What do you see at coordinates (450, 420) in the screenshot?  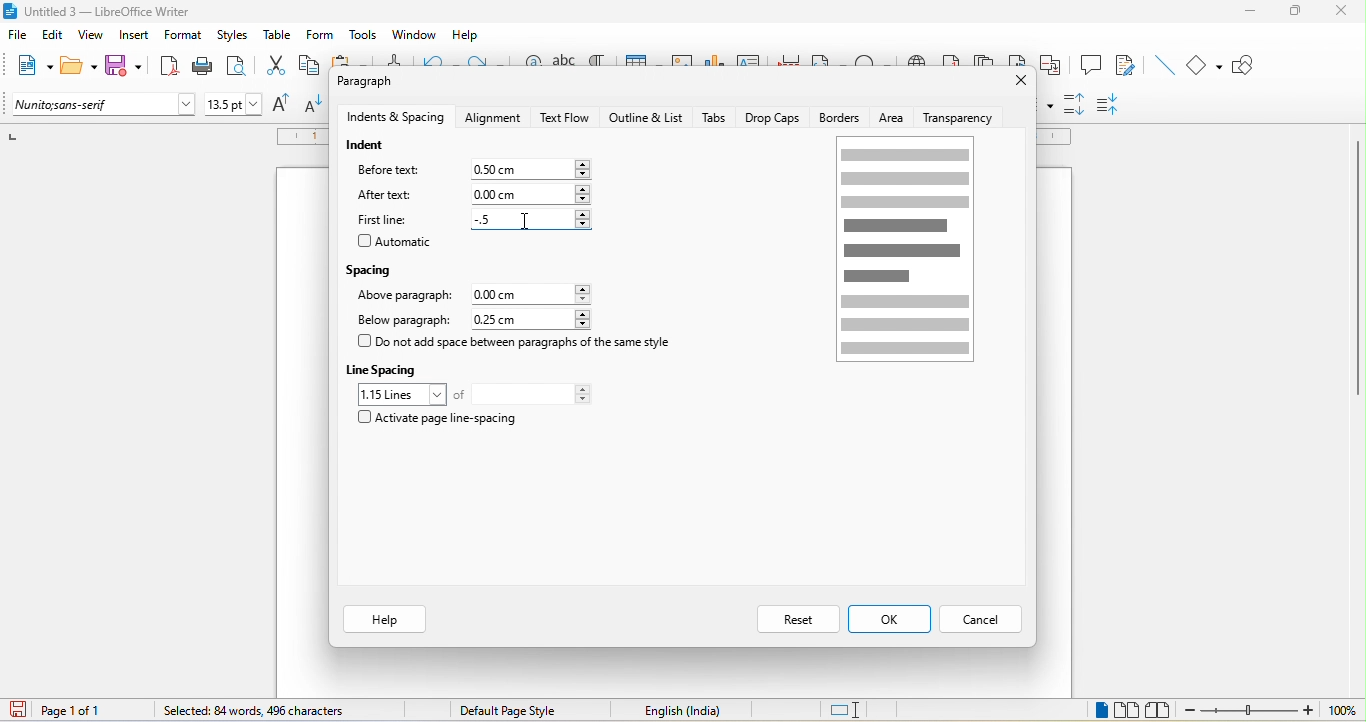 I see `activate page line spacing` at bounding box center [450, 420].